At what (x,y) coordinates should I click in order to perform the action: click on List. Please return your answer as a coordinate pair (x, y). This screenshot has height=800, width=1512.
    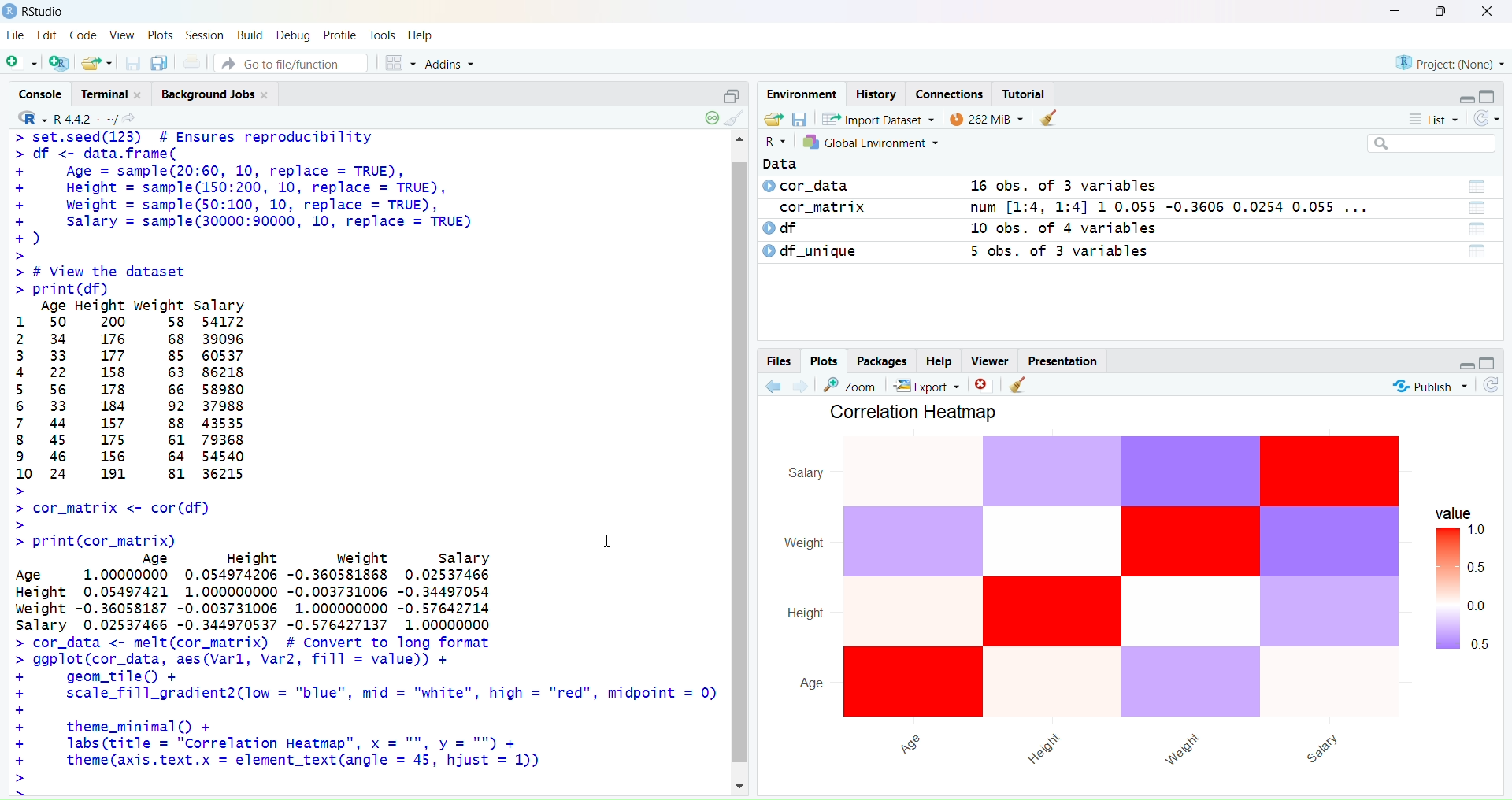
    Looking at the image, I should click on (1477, 187).